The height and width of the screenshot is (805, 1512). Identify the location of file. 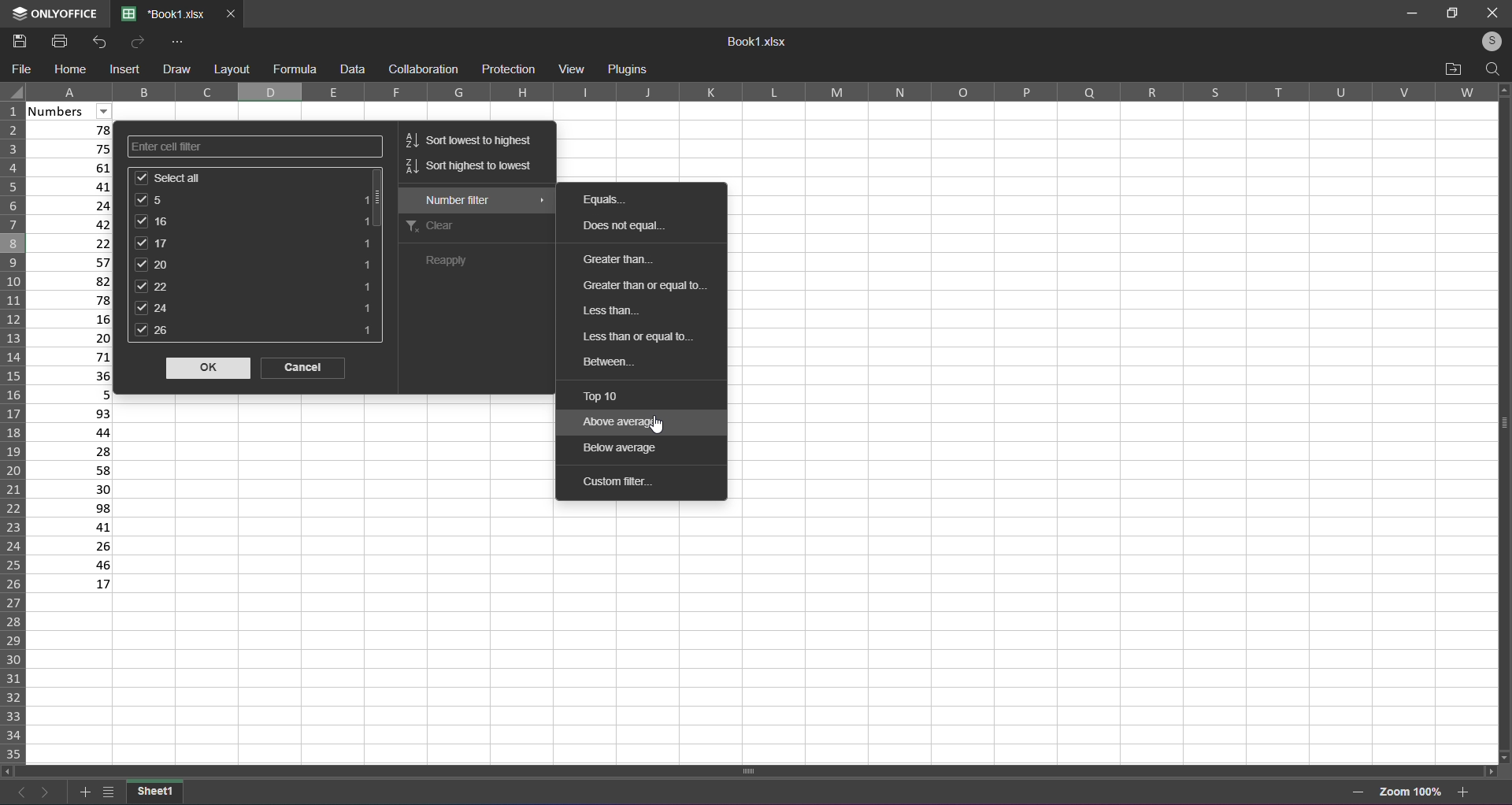
(24, 69).